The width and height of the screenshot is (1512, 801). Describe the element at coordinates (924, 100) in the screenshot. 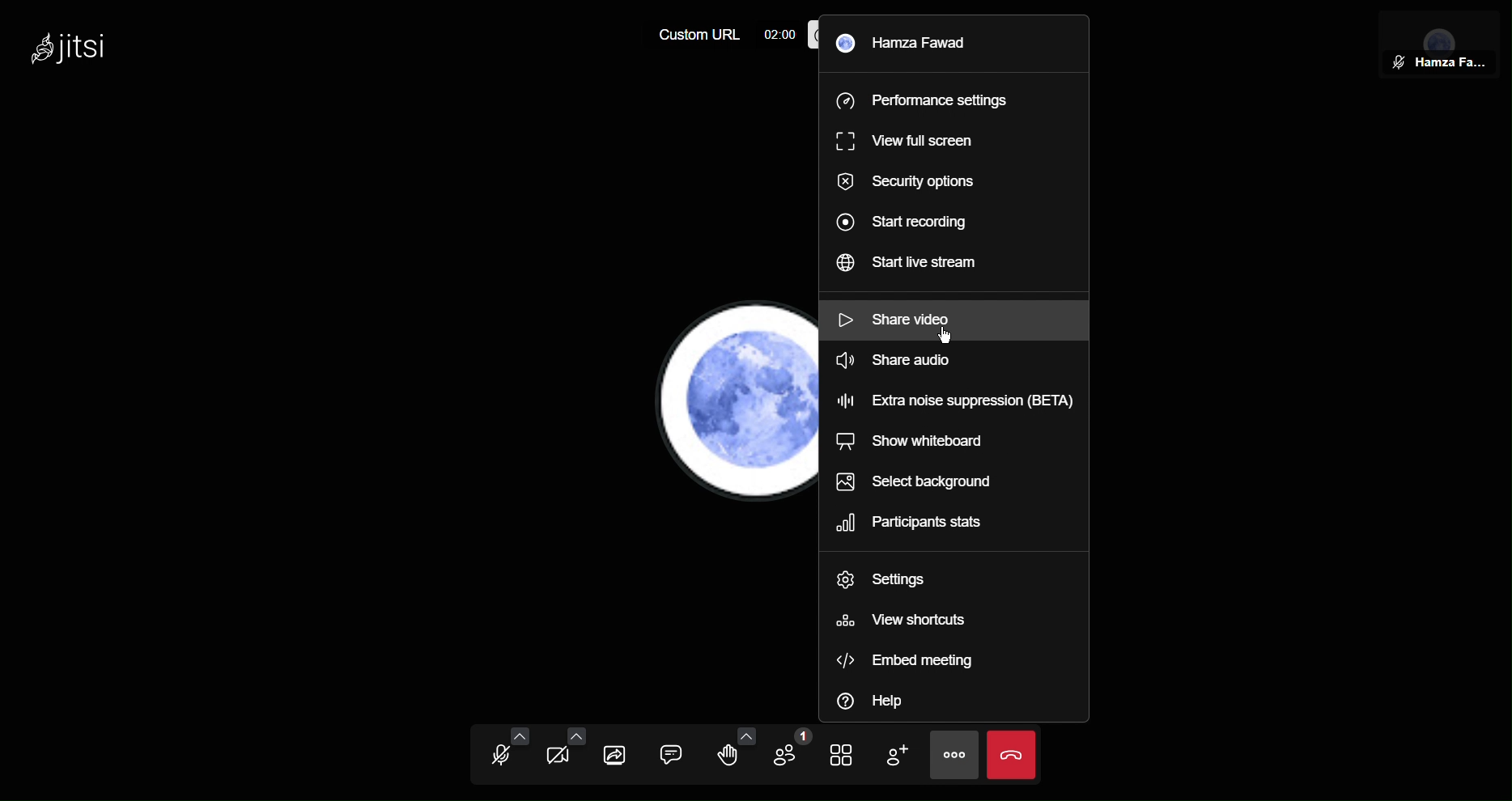

I see `Performance ` at that location.